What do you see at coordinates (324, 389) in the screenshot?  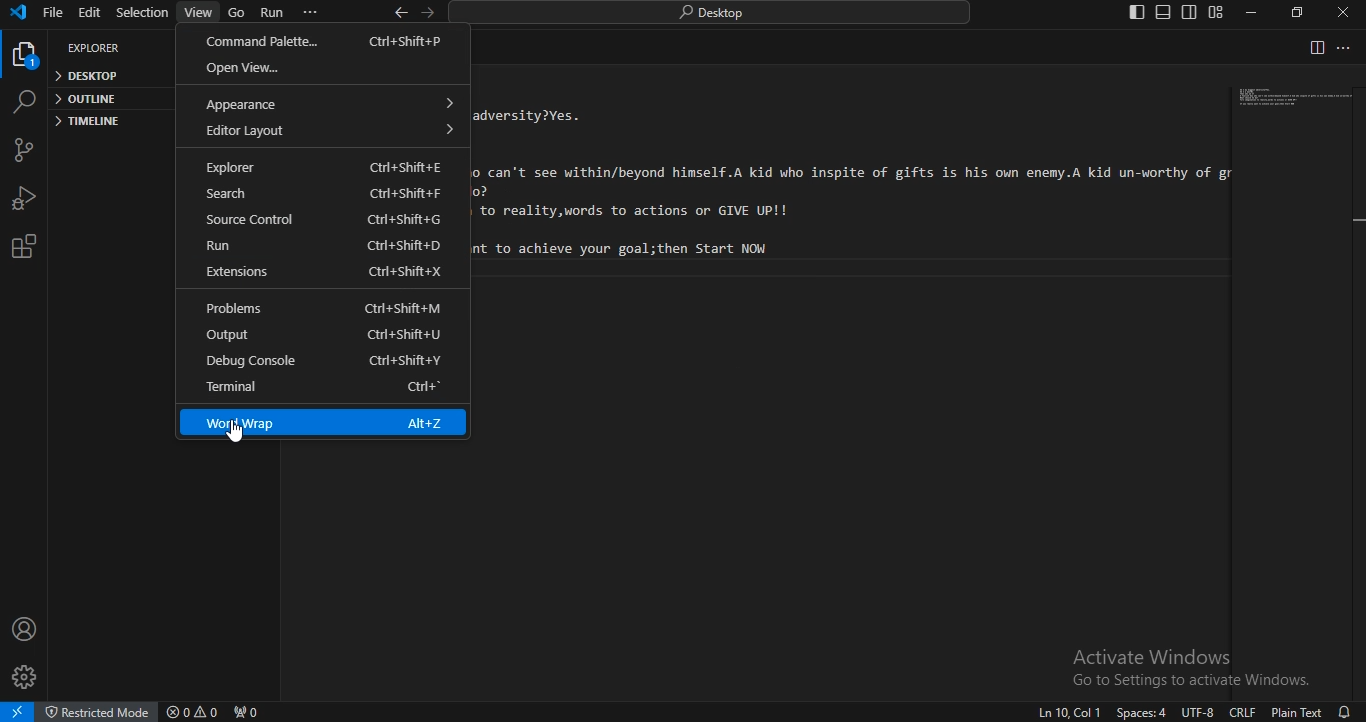 I see `terminal` at bounding box center [324, 389].